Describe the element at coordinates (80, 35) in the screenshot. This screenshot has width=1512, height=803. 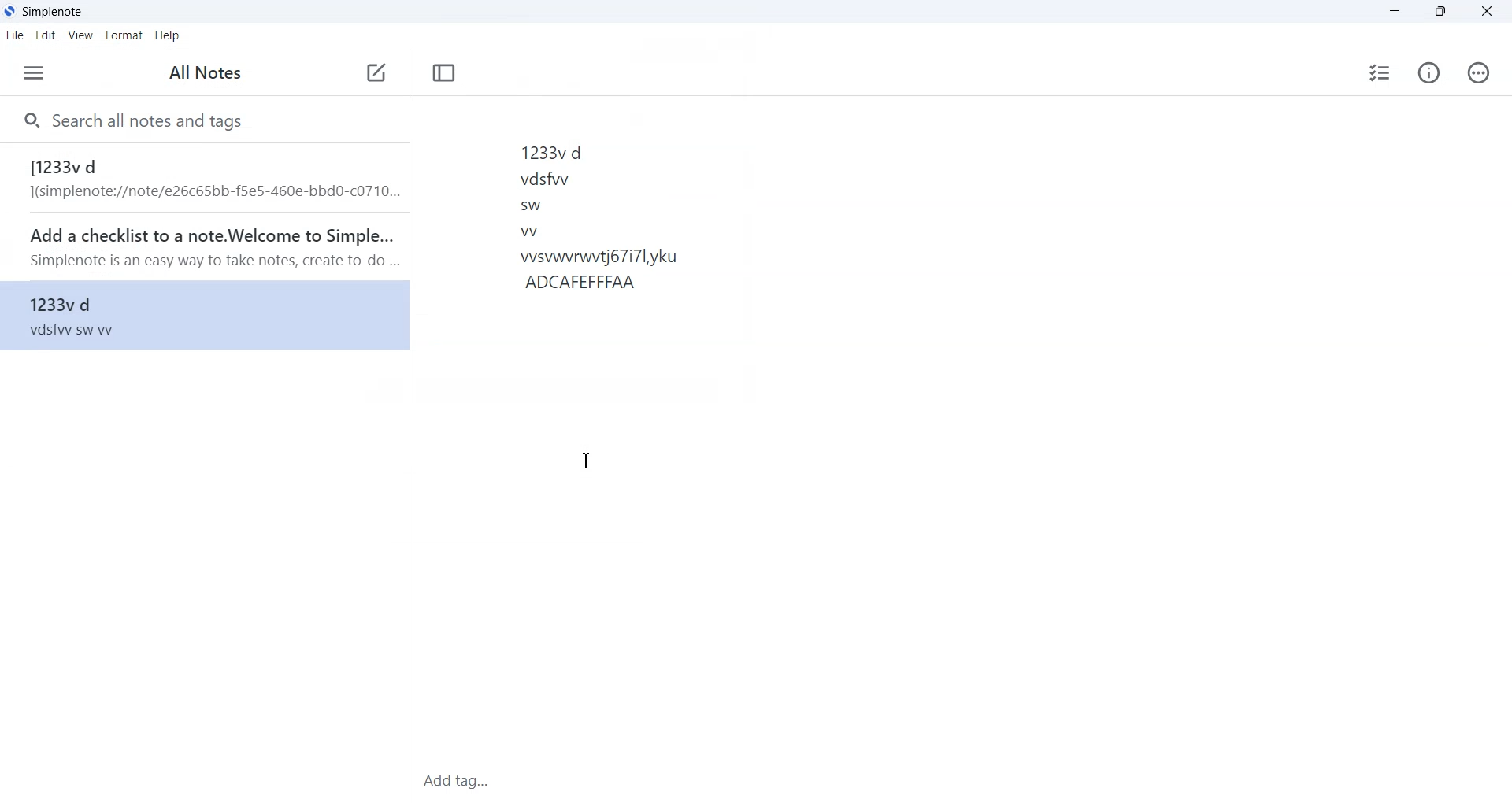
I see `View` at that location.